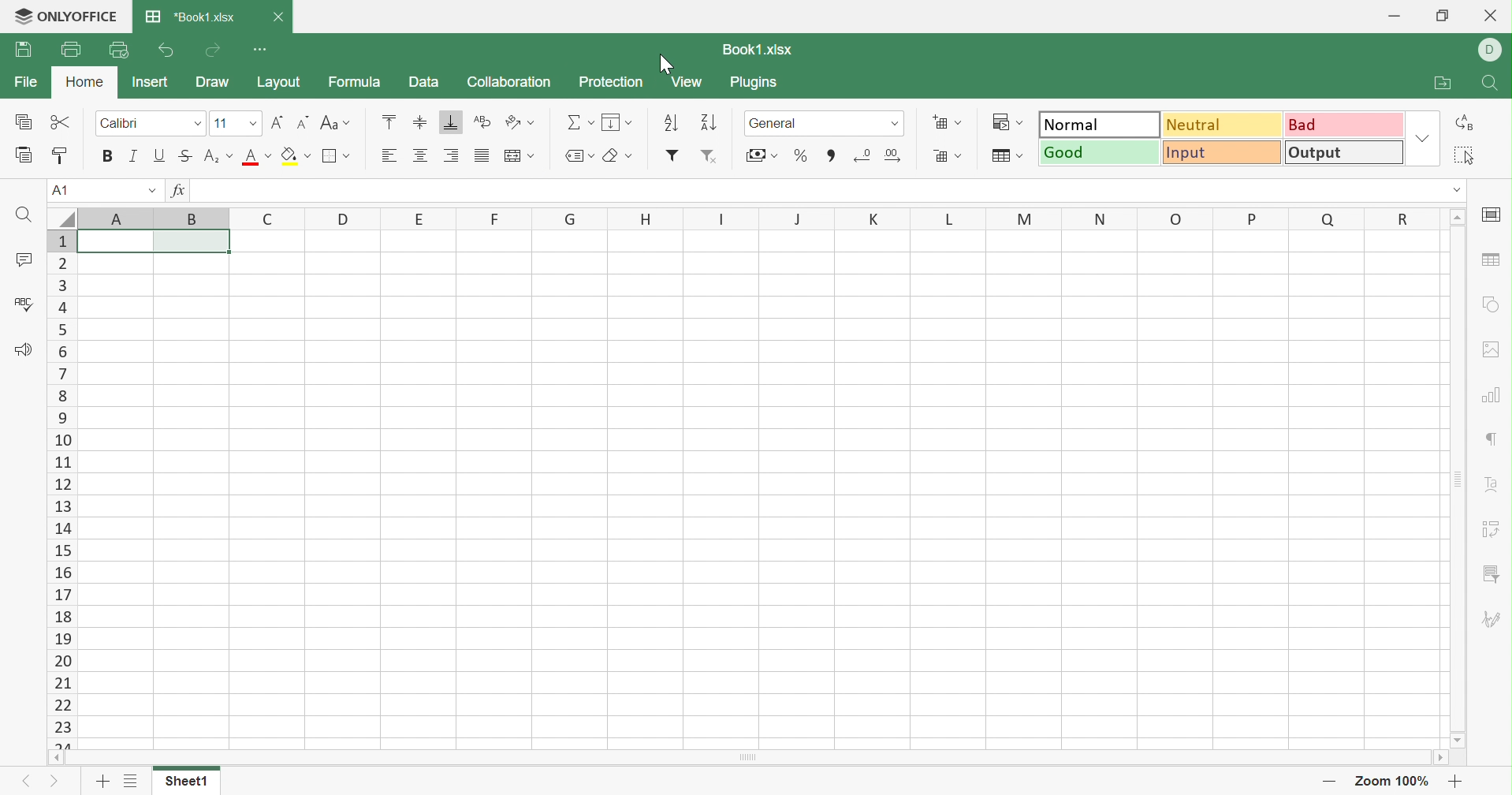 The width and height of the screenshot is (1512, 795). Describe the element at coordinates (1494, 262) in the screenshot. I see `Table sttings` at that location.